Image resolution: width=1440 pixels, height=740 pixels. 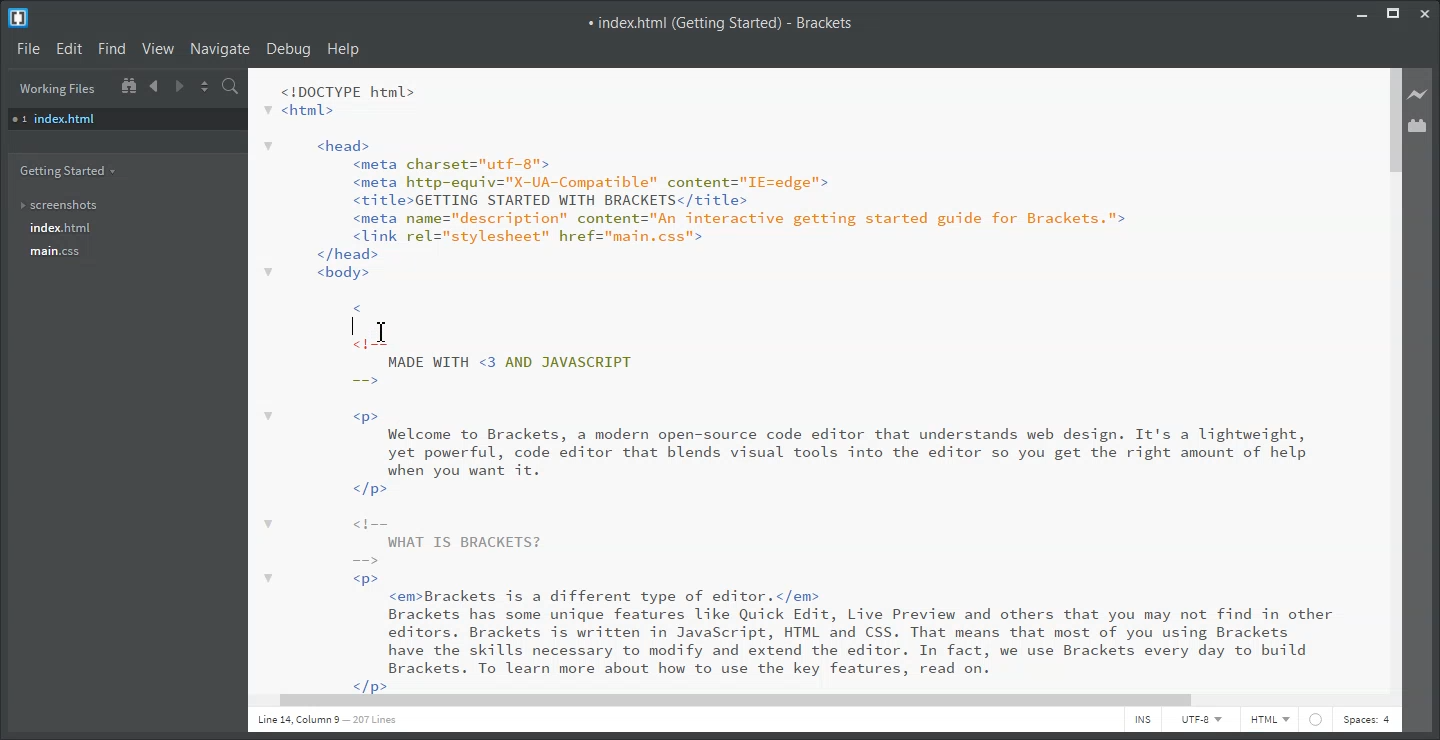 What do you see at coordinates (231, 87) in the screenshot?
I see `Find In files` at bounding box center [231, 87].